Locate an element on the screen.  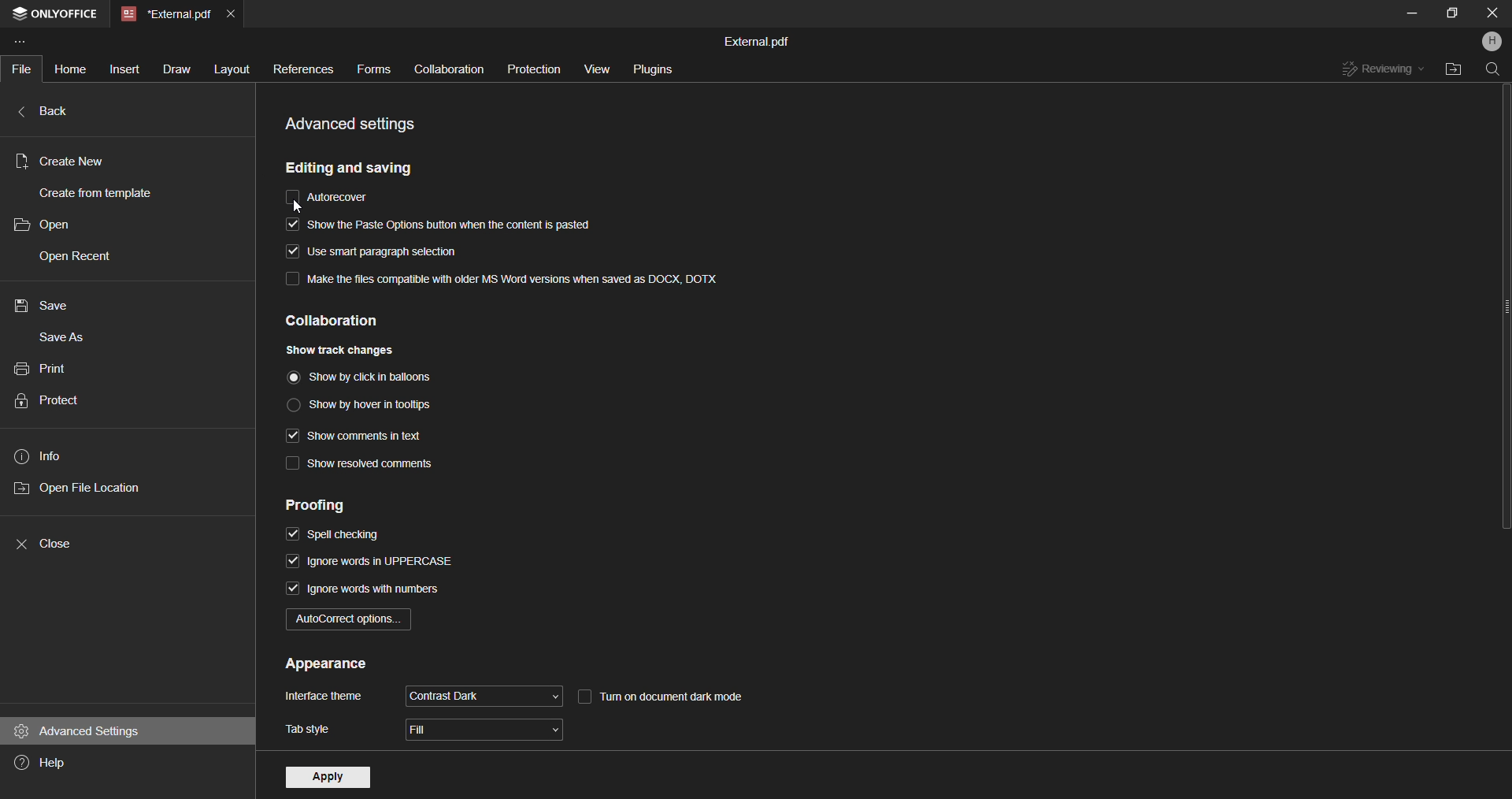
appearance is located at coordinates (326, 665).